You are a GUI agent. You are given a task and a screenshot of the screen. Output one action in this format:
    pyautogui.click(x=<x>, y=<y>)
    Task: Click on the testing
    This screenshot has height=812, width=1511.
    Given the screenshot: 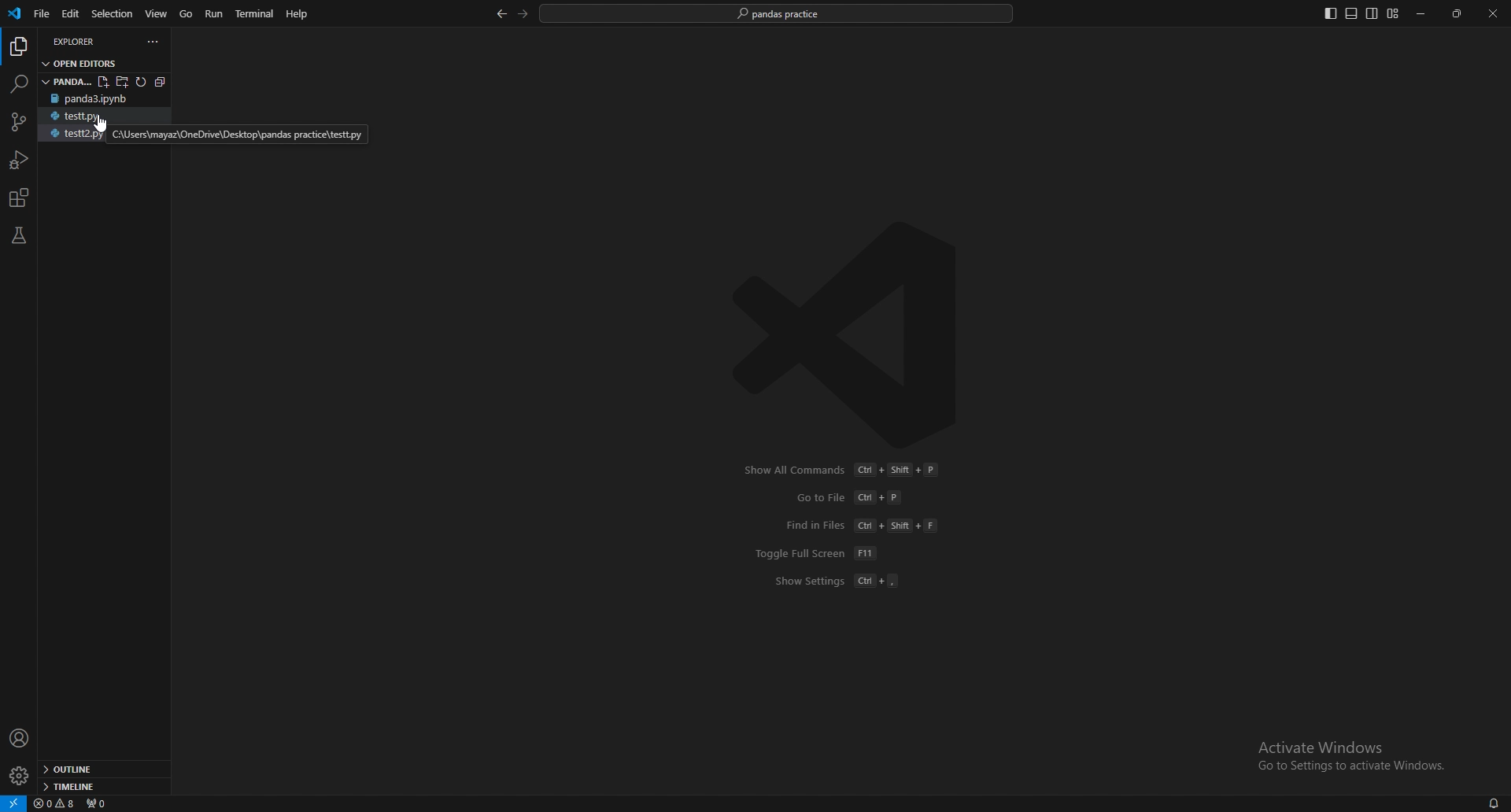 What is the action you would take?
    pyautogui.click(x=19, y=235)
    